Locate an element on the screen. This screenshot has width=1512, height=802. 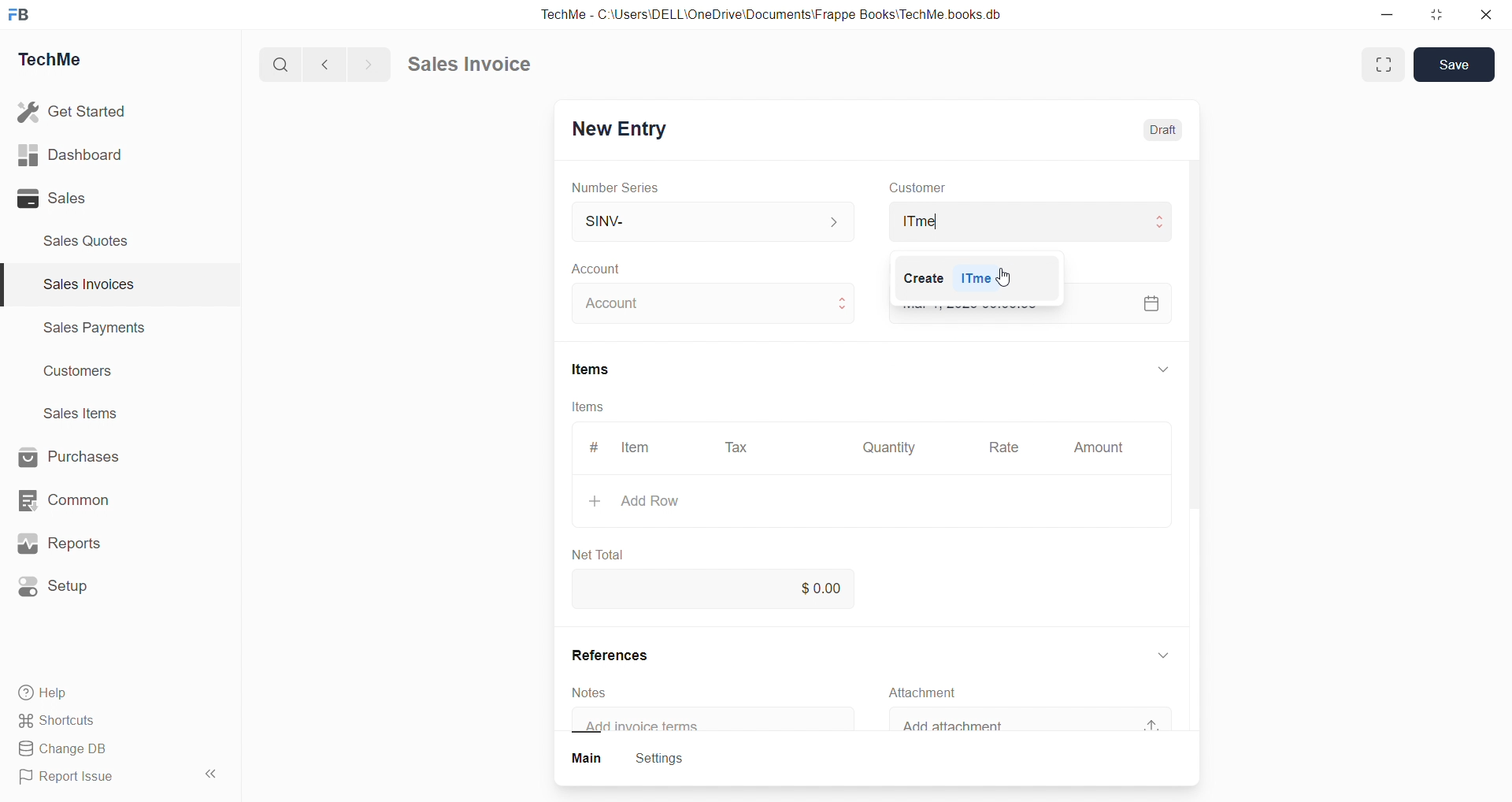
Notes is located at coordinates (598, 692).